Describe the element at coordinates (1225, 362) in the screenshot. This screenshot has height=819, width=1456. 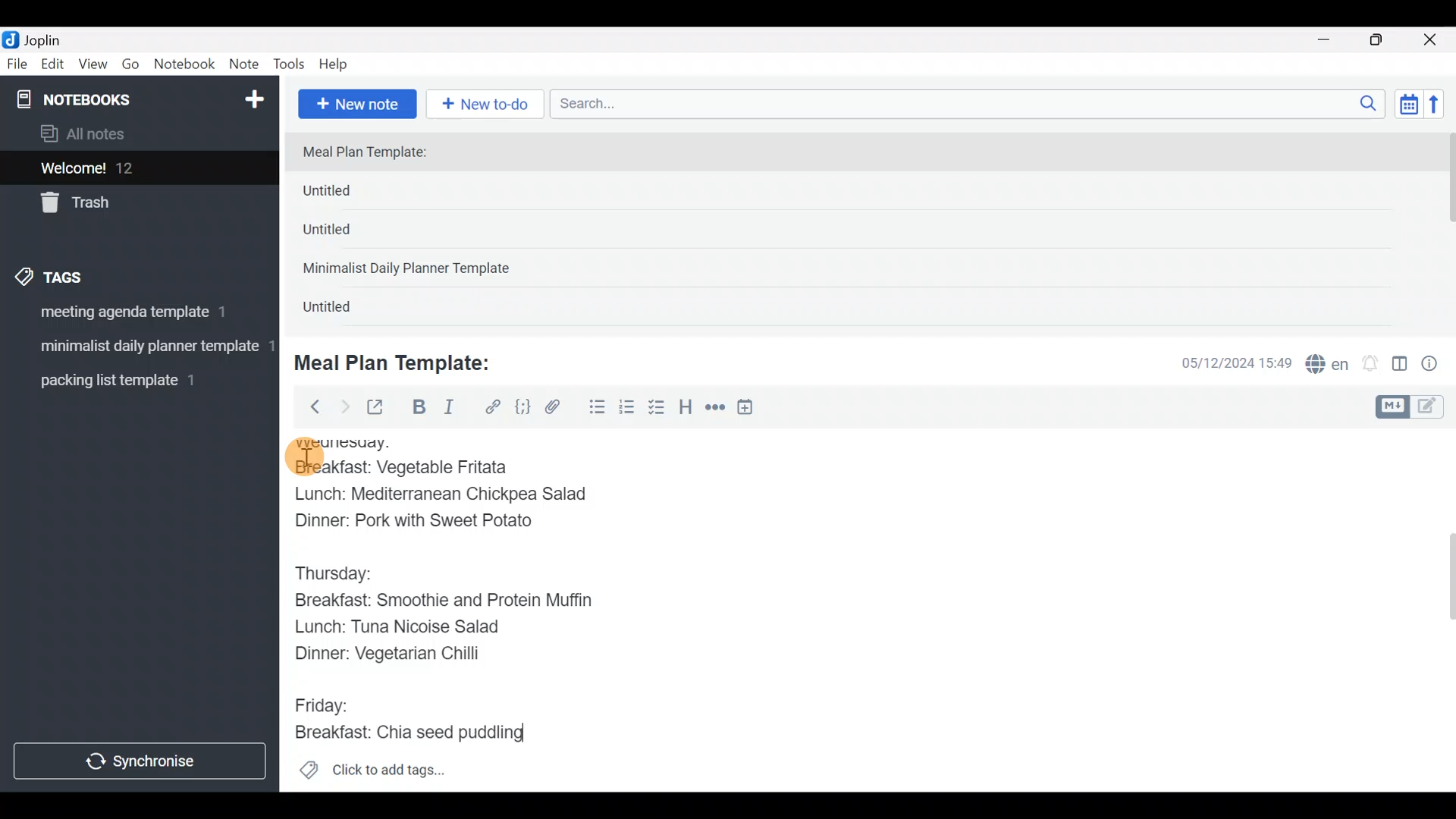
I see `Date & time` at that location.